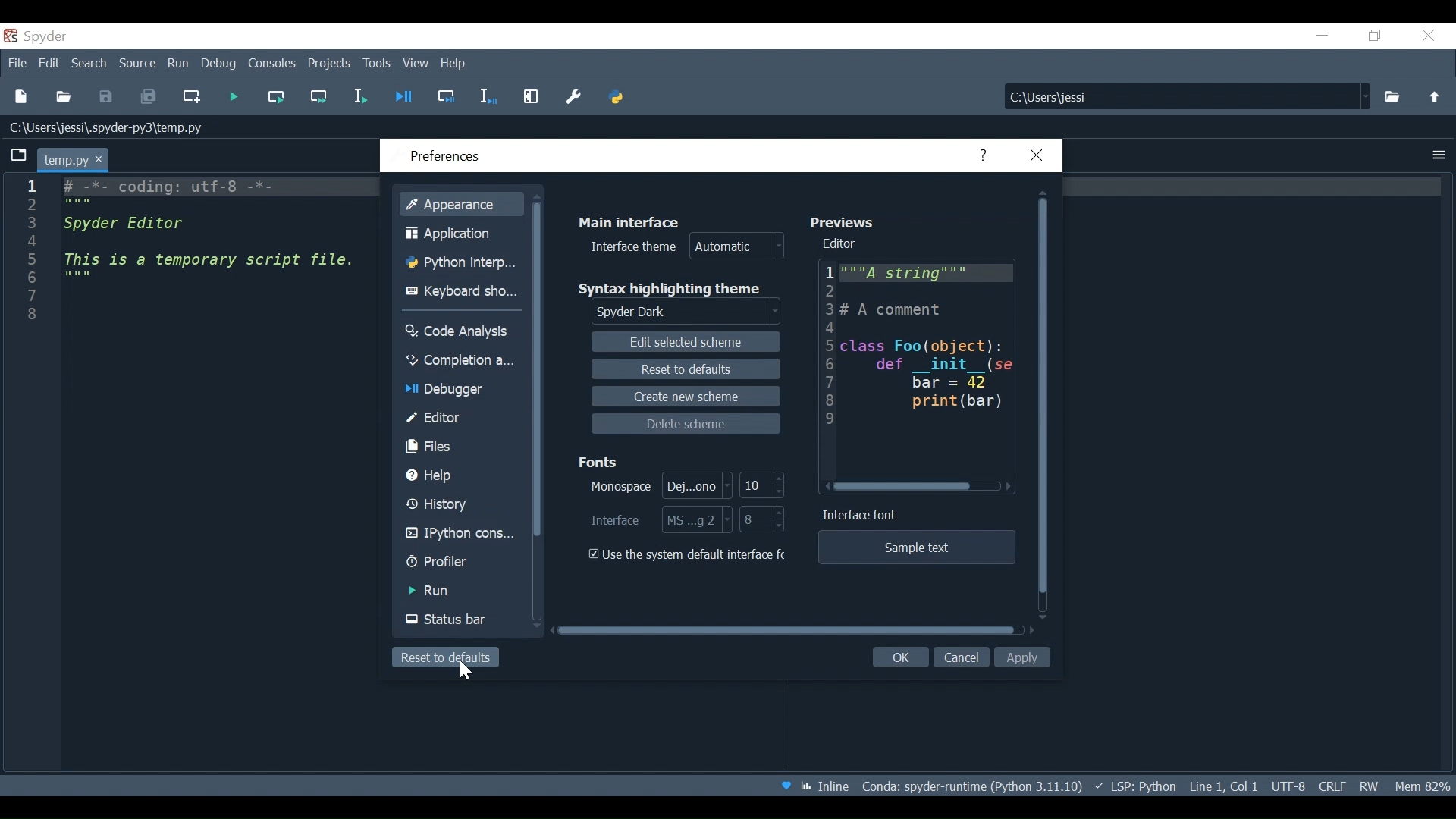 The image size is (1456, 819). Describe the element at coordinates (531, 99) in the screenshot. I see `Maximize current pane` at that location.